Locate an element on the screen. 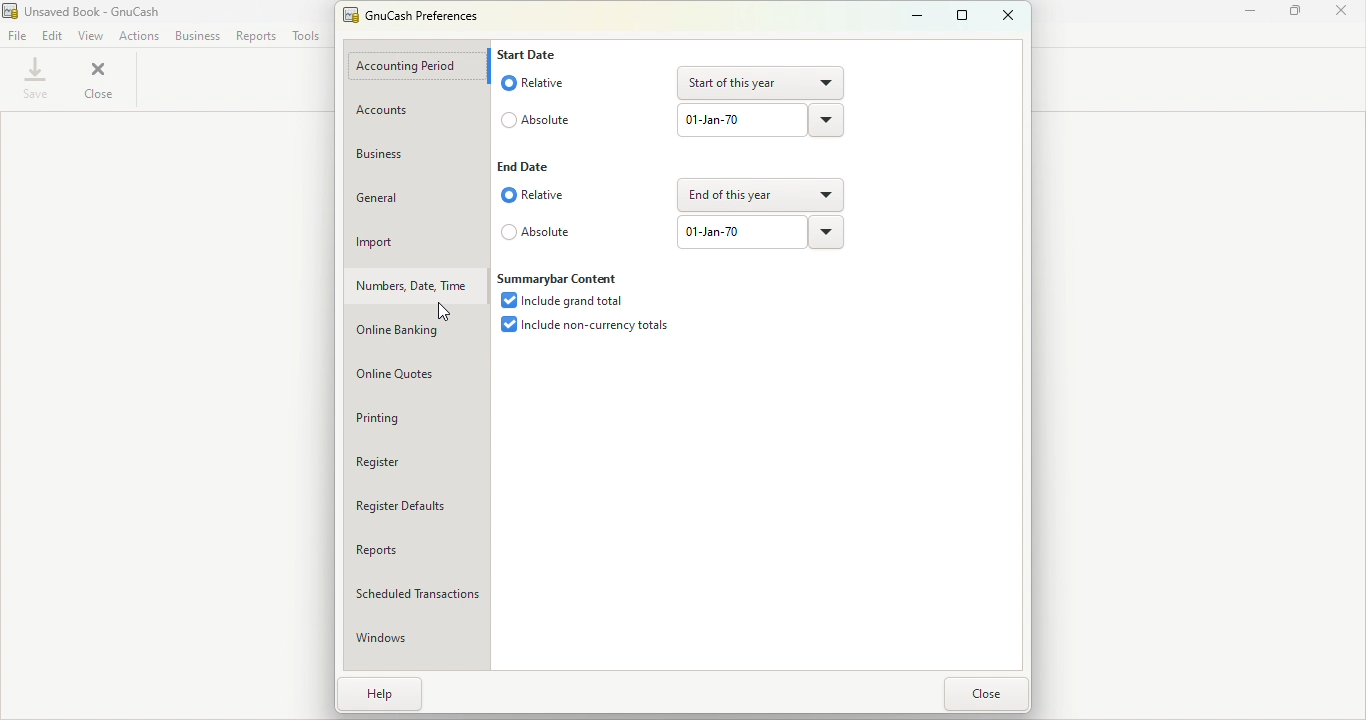 The image size is (1366, 720). Save is located at coordinates (34, 78).